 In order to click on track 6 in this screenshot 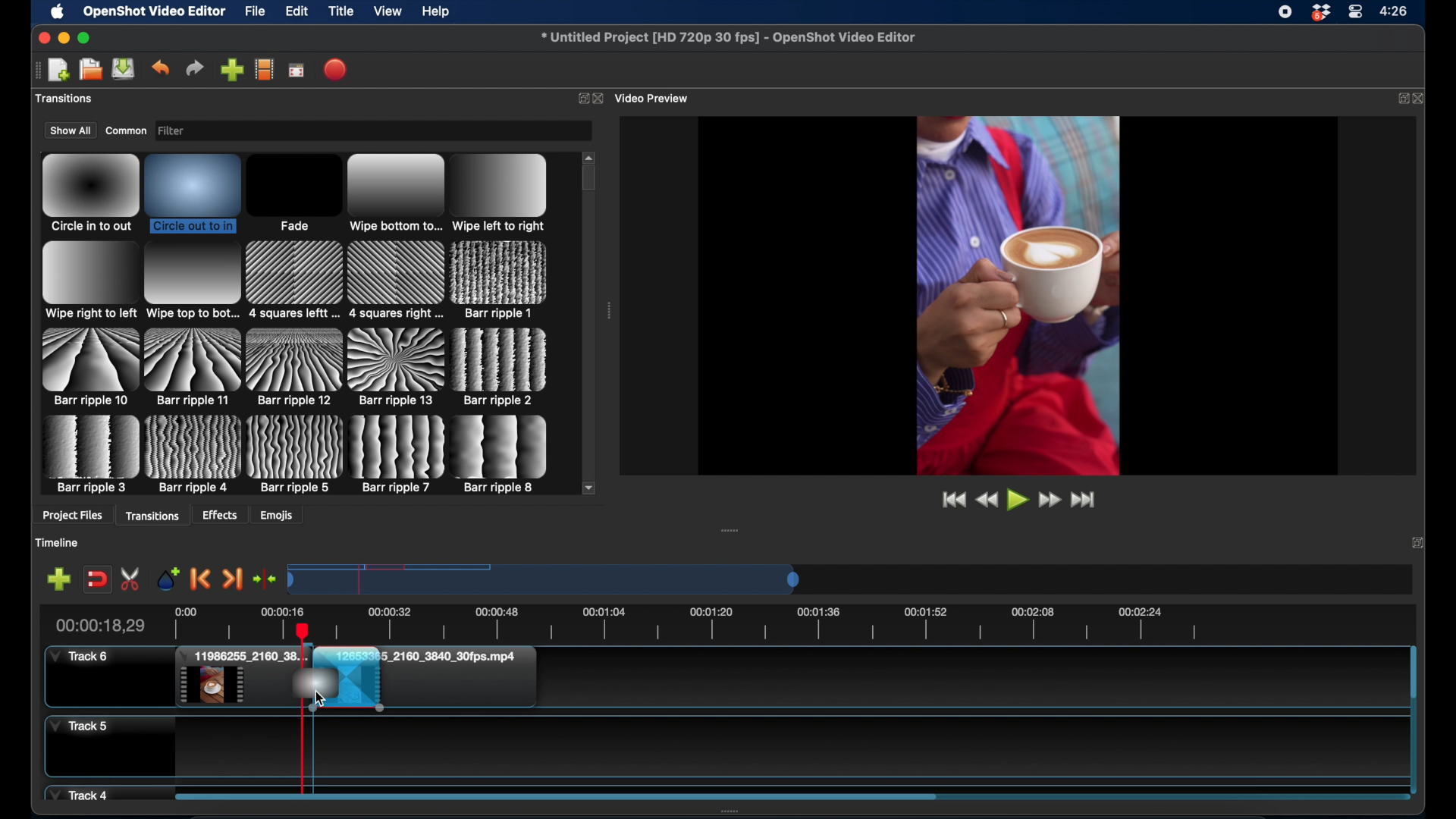, I will do `click(80, 657)`.